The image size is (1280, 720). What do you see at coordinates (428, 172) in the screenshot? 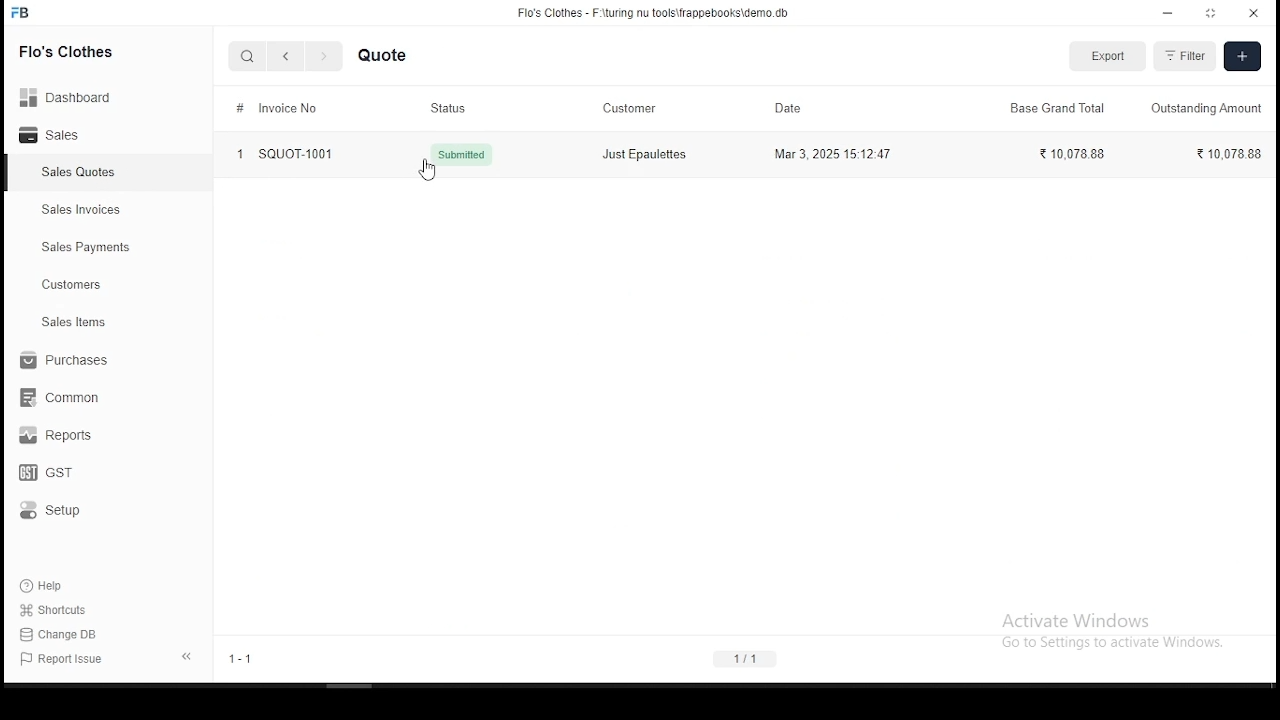
I see `cursor` at bounding box center [428, 172].